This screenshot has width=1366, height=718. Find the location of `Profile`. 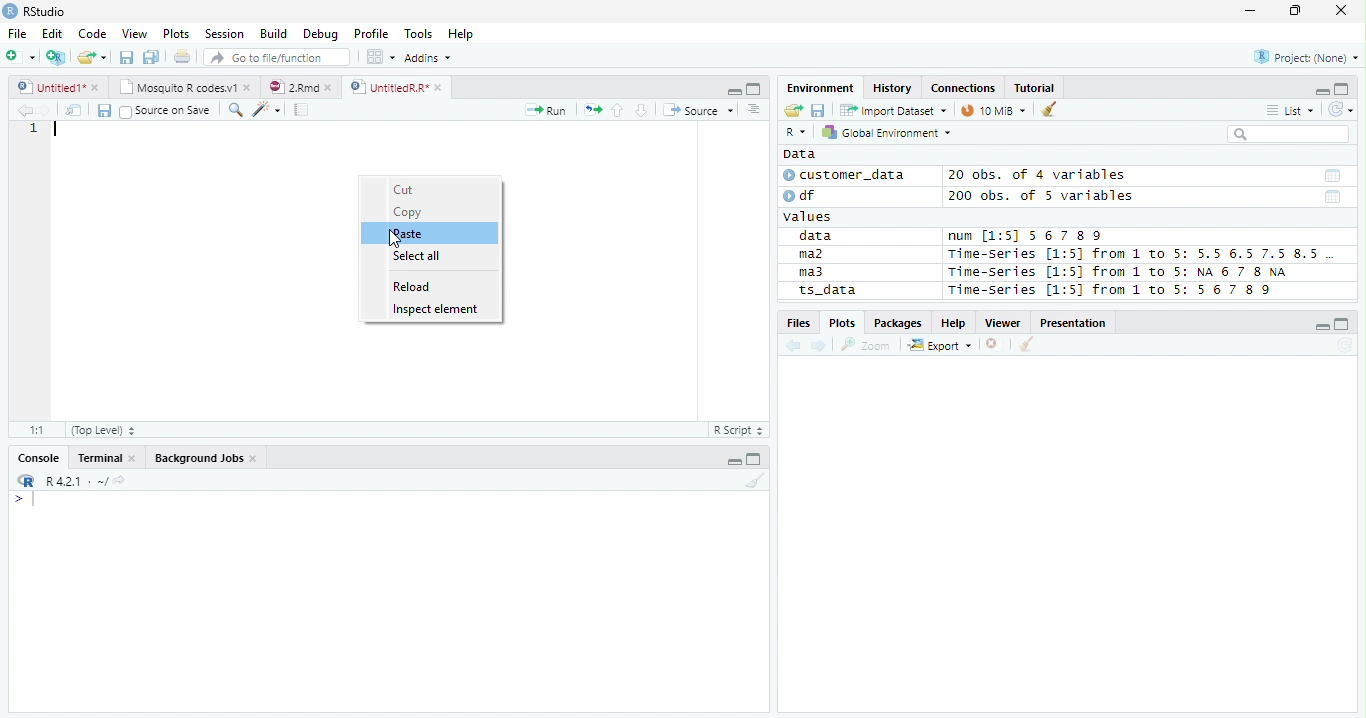

Profile is located at coordinates (370, 34).